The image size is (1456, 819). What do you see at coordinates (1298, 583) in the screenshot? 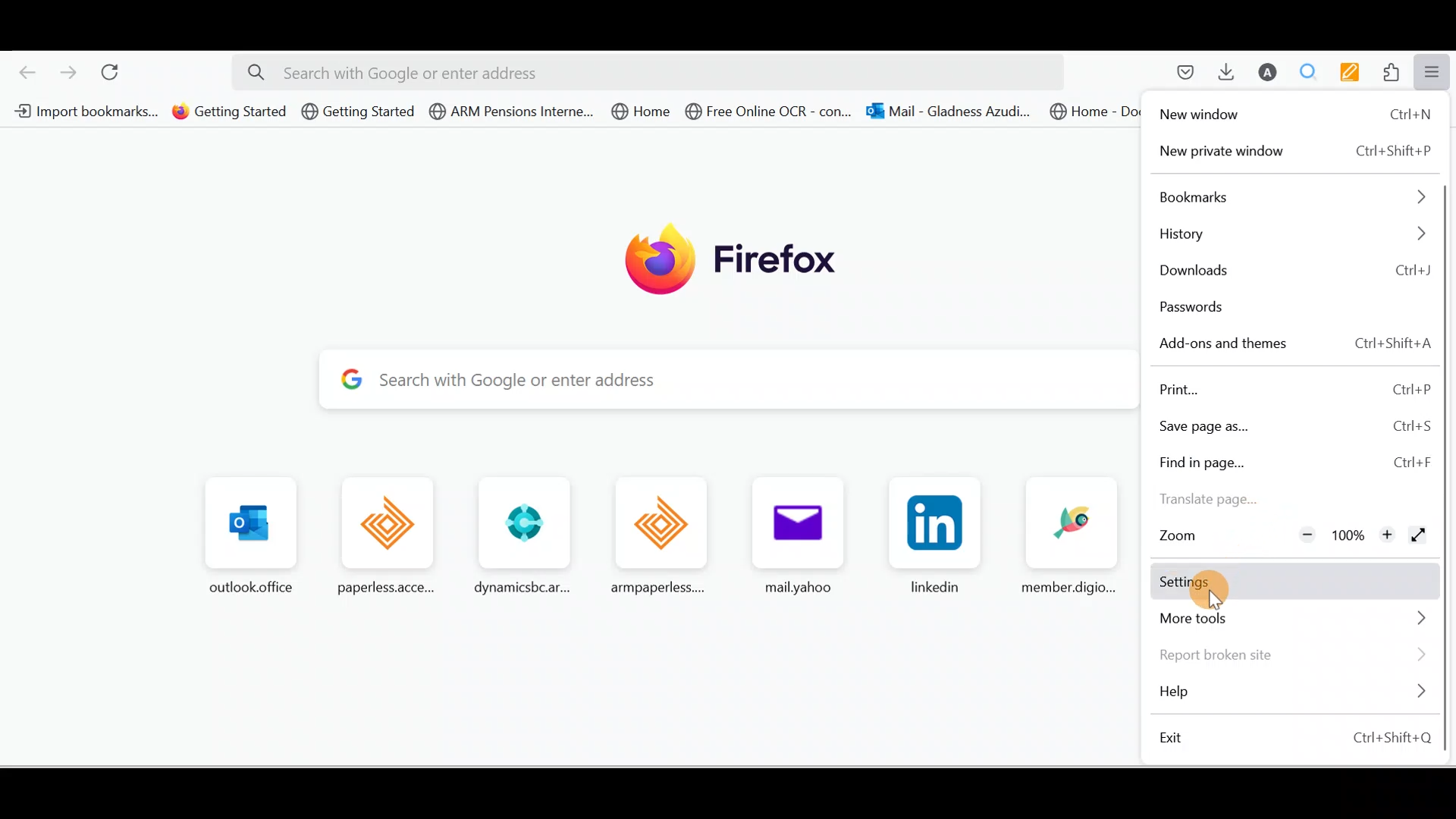
I see `Settings` at bounding box center [1298, 583].